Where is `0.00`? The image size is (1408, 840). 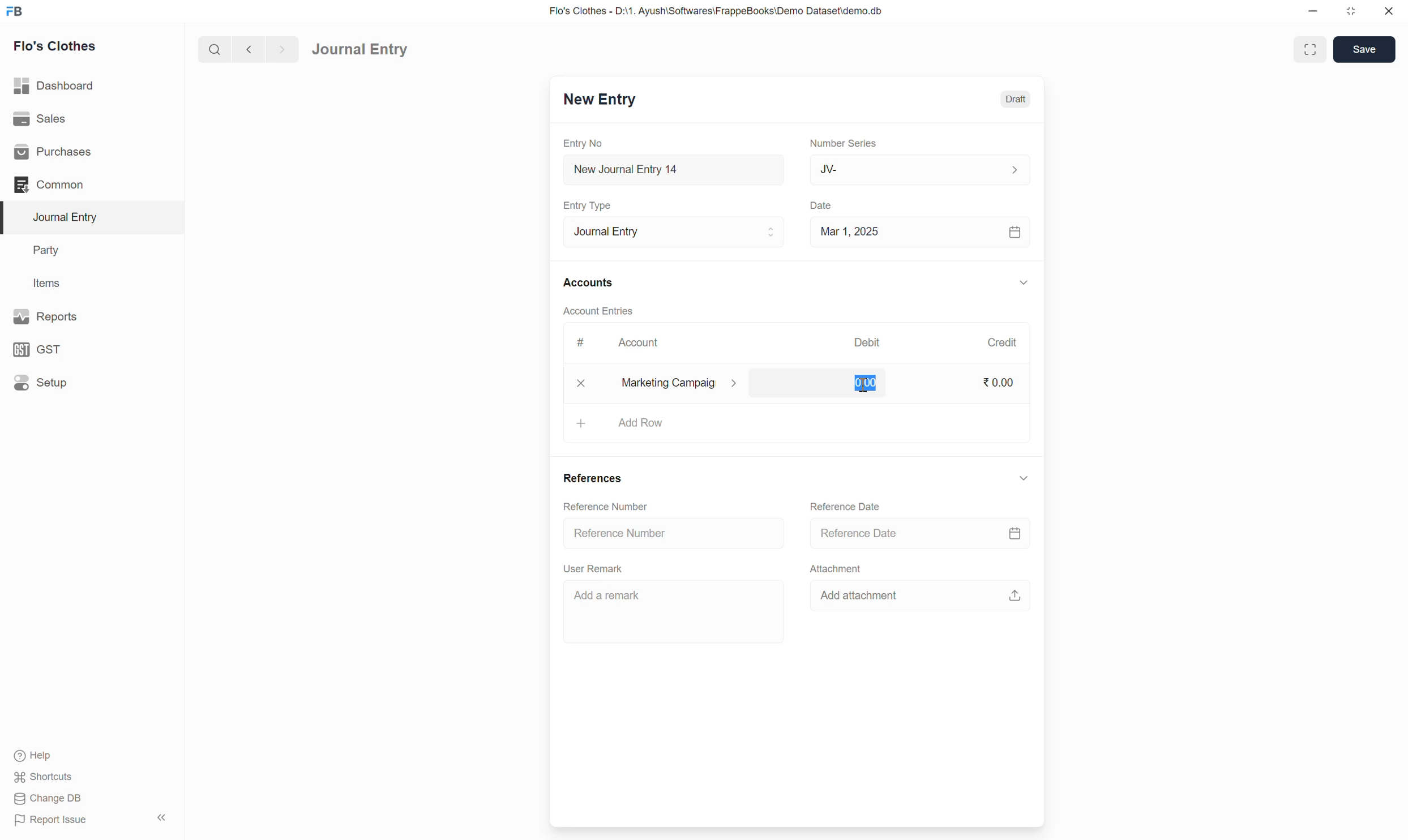
0.00 is located at coordinates (999, 382).